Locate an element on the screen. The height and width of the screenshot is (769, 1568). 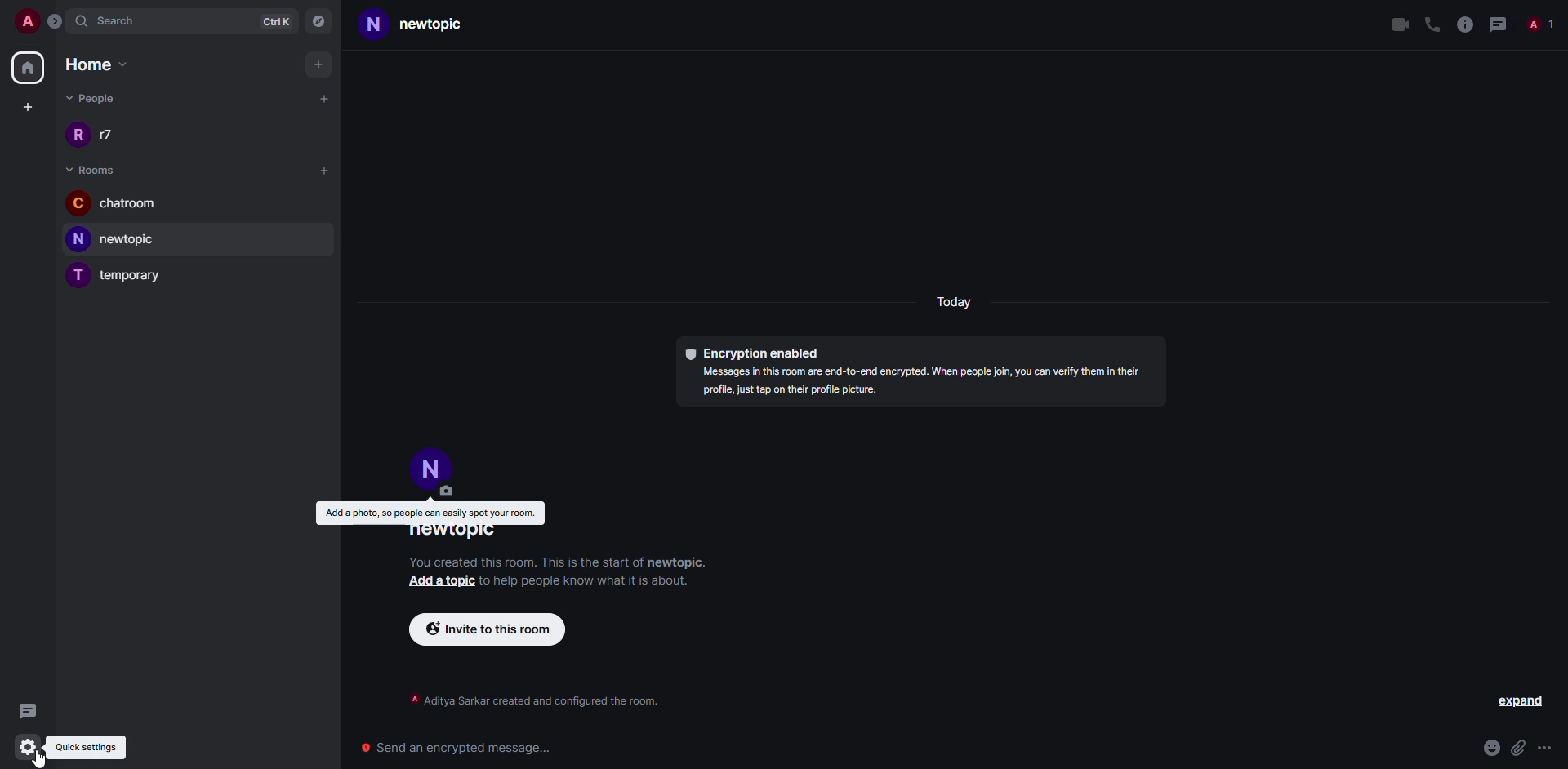
people is located at coordinates (95, 97).